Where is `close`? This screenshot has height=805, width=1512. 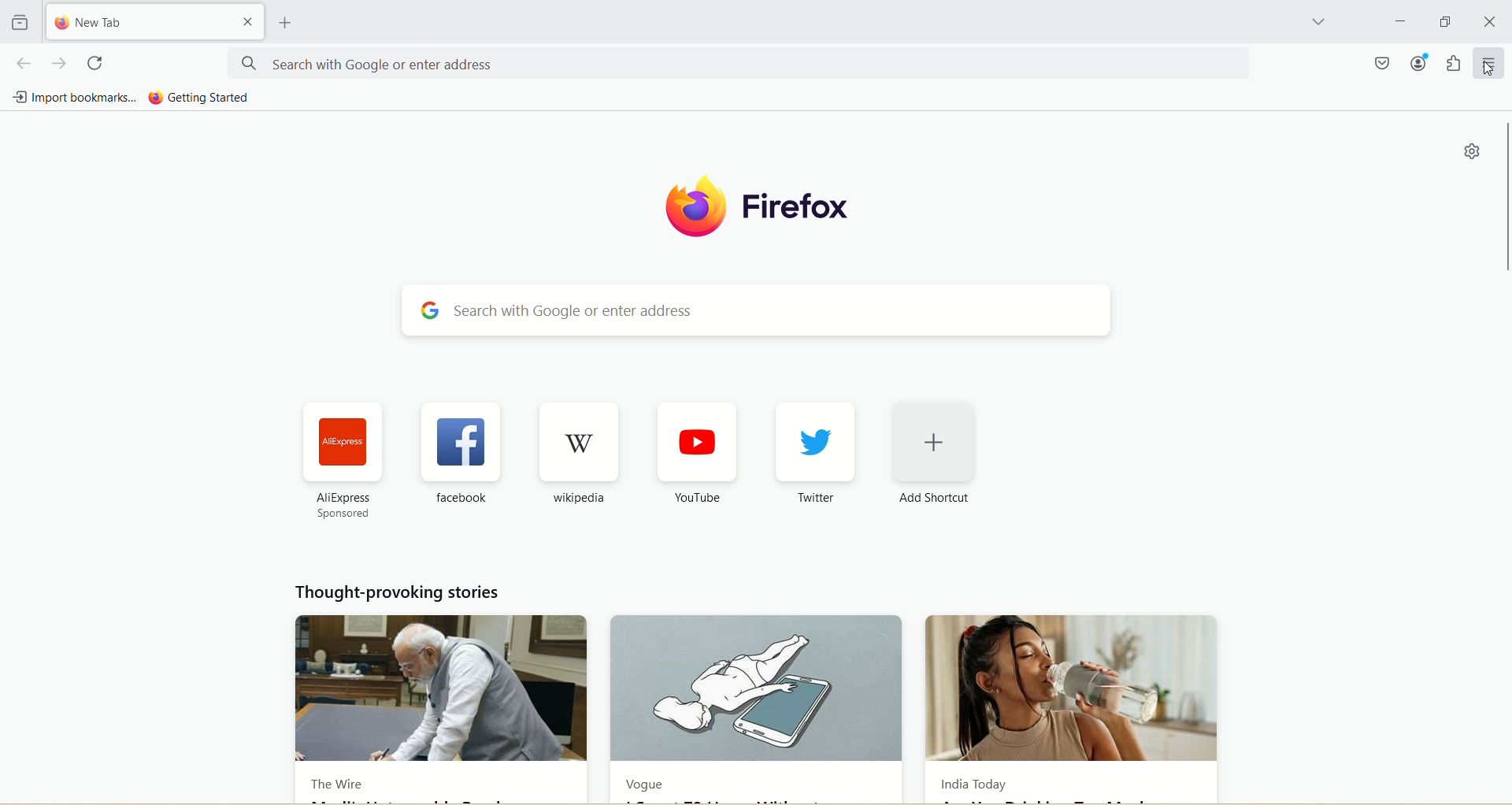
close is located at coordinates (1489, 20).